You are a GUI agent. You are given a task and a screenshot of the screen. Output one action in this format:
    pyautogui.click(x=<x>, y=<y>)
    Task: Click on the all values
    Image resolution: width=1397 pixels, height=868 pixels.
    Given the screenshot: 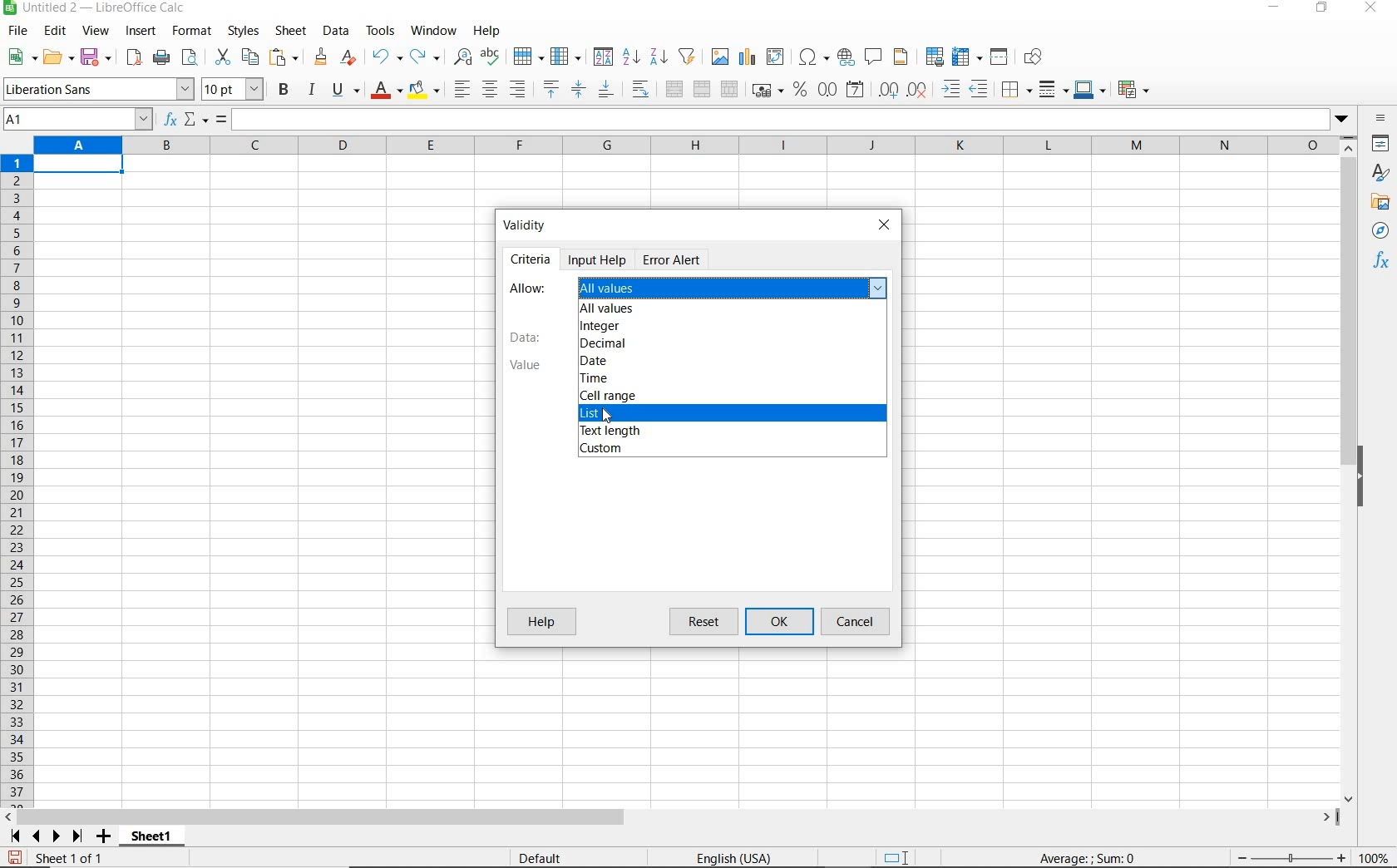 What is the action you would take?
    pyautogui.click(x=736, y=288)
    